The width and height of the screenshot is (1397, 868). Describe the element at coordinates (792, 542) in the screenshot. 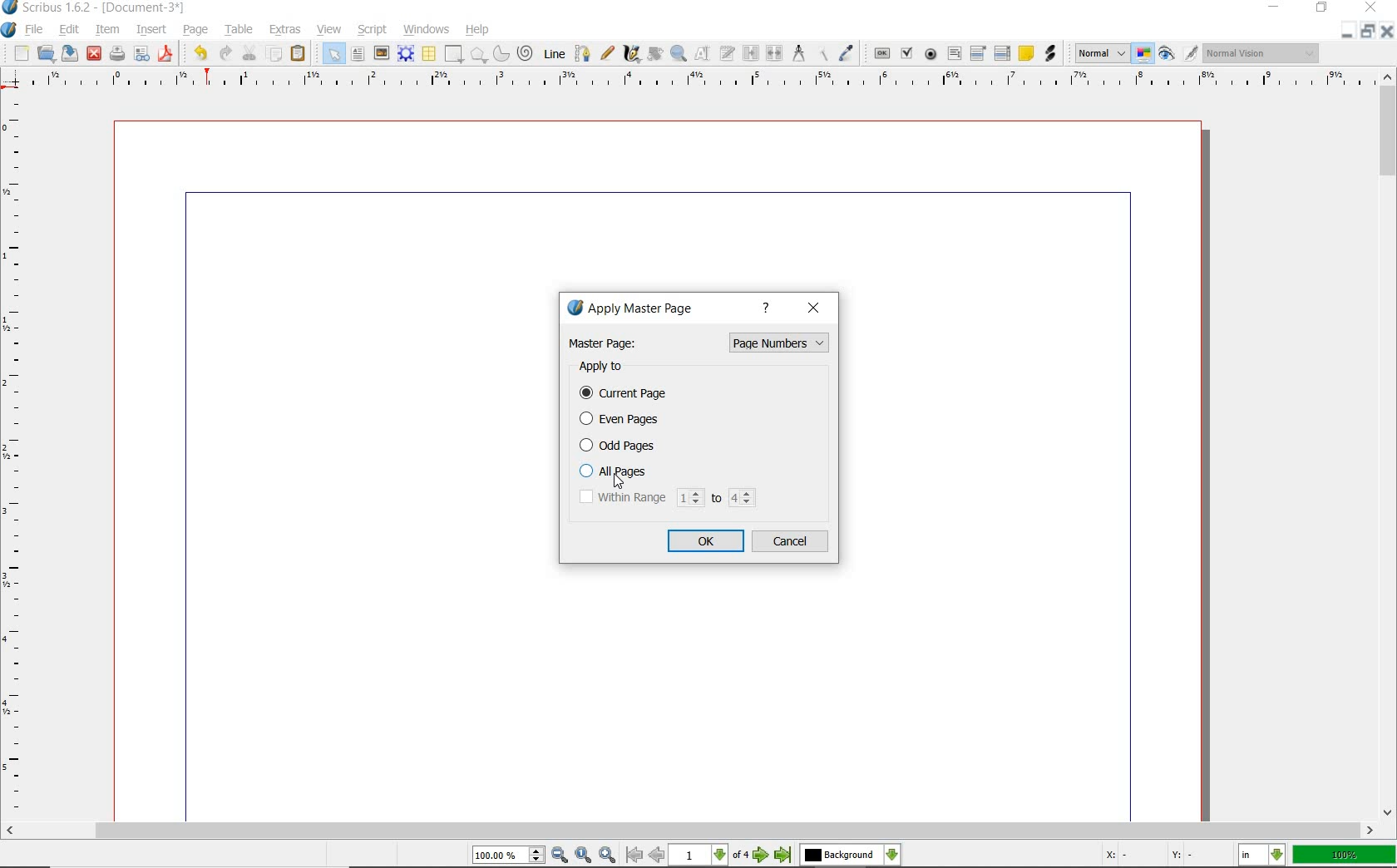

I see `cancel` at that location.